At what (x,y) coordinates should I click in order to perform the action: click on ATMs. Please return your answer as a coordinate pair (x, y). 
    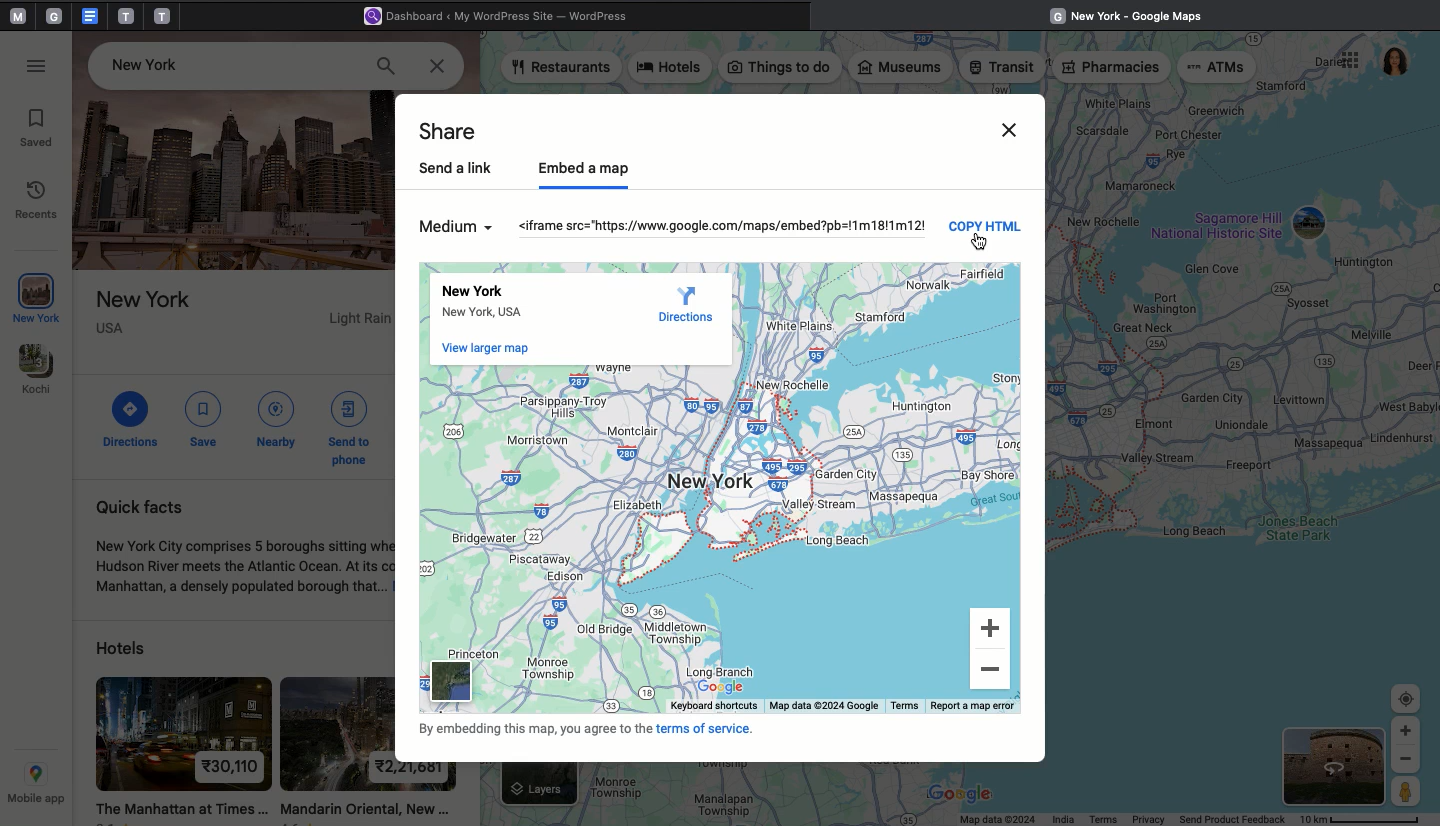
    Looking at the image, I should click on (1217, 69).